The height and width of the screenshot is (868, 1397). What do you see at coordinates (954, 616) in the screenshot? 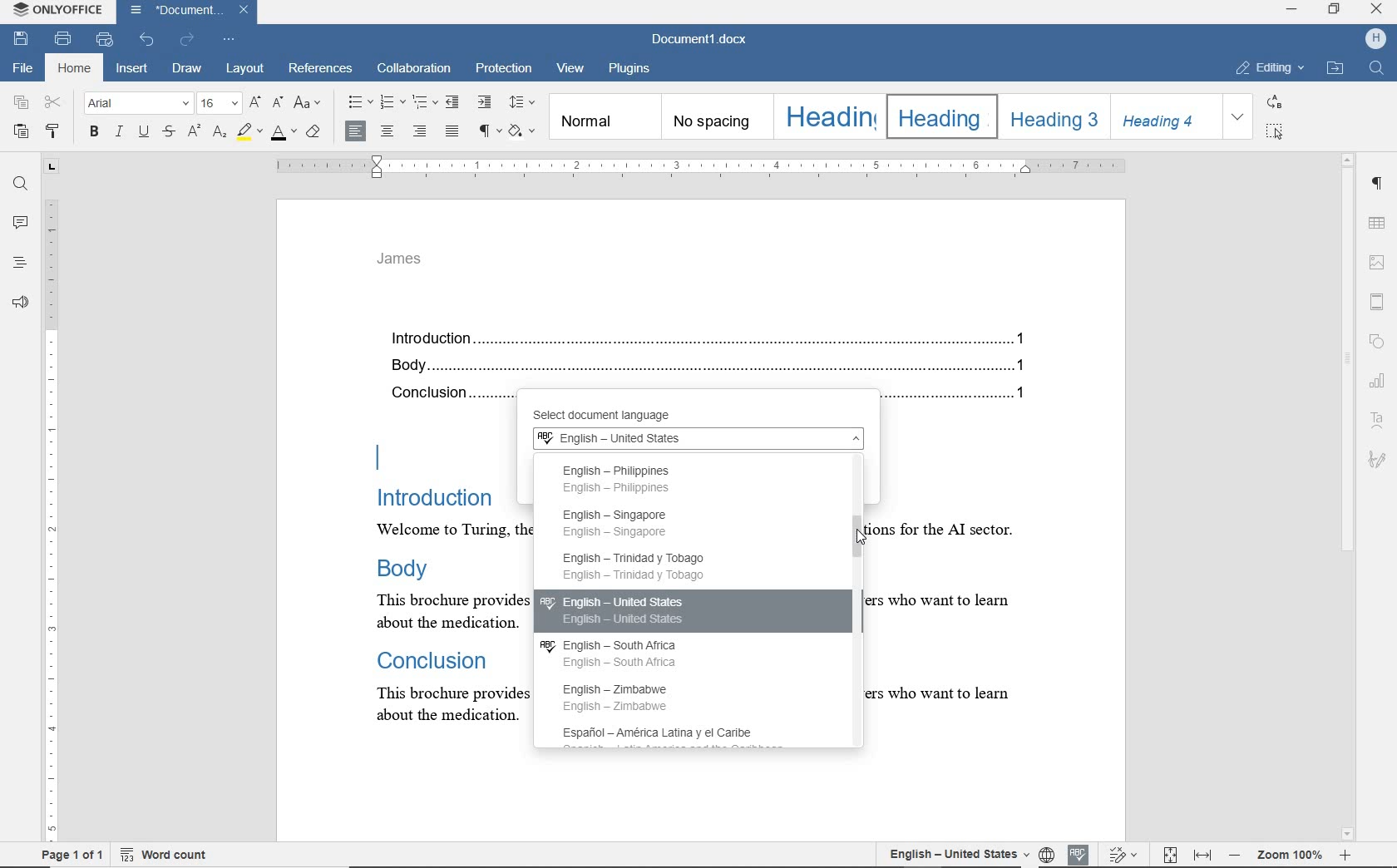
I see `text` at bounding box center [954, 616].